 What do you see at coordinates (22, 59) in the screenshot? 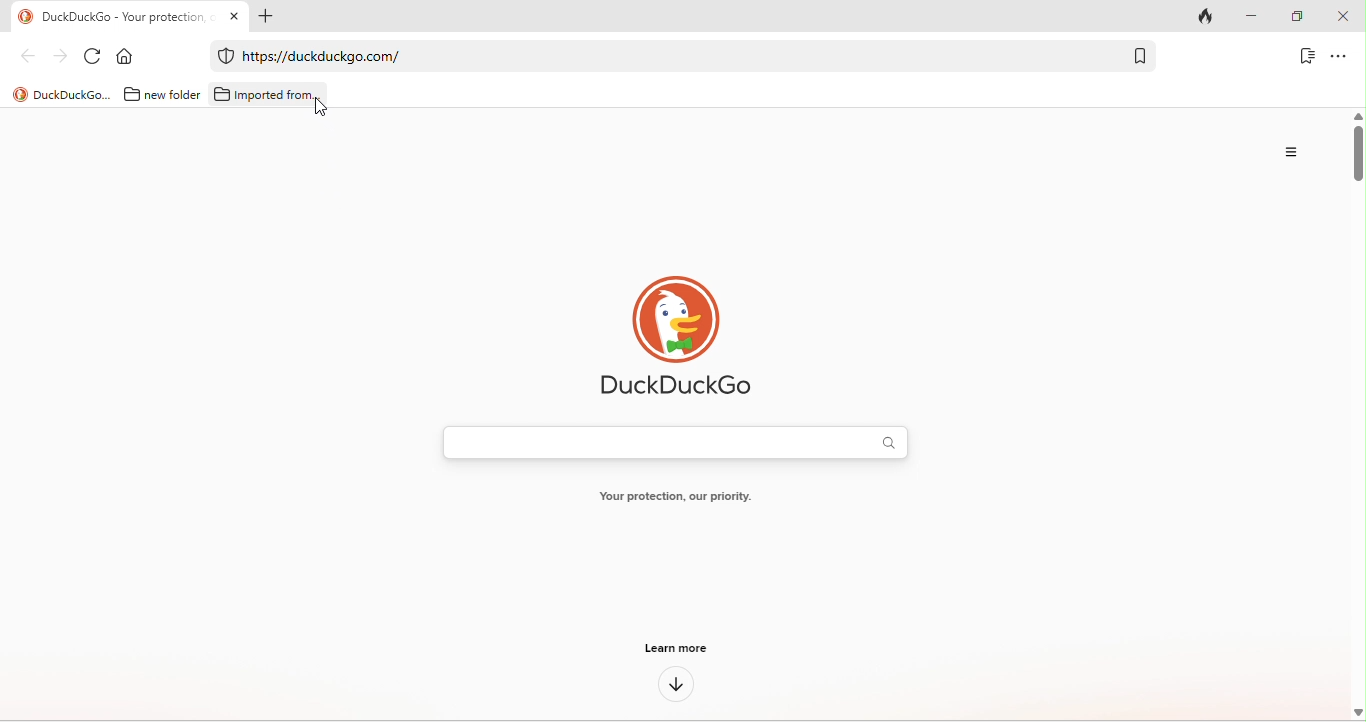
I see `back` at bounding box center [22, 59].